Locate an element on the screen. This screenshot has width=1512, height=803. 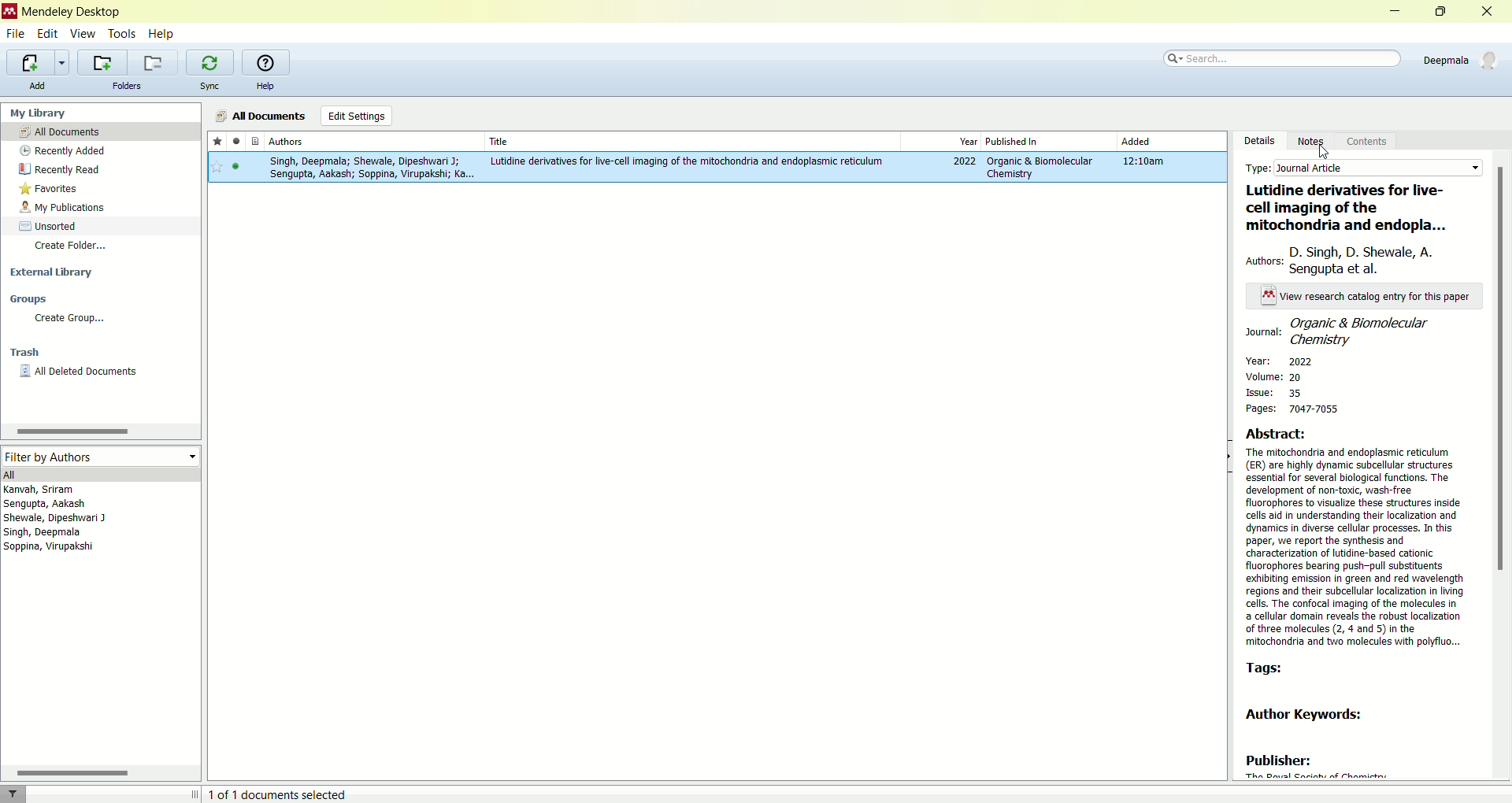
file is located at coordinates (17, 34).